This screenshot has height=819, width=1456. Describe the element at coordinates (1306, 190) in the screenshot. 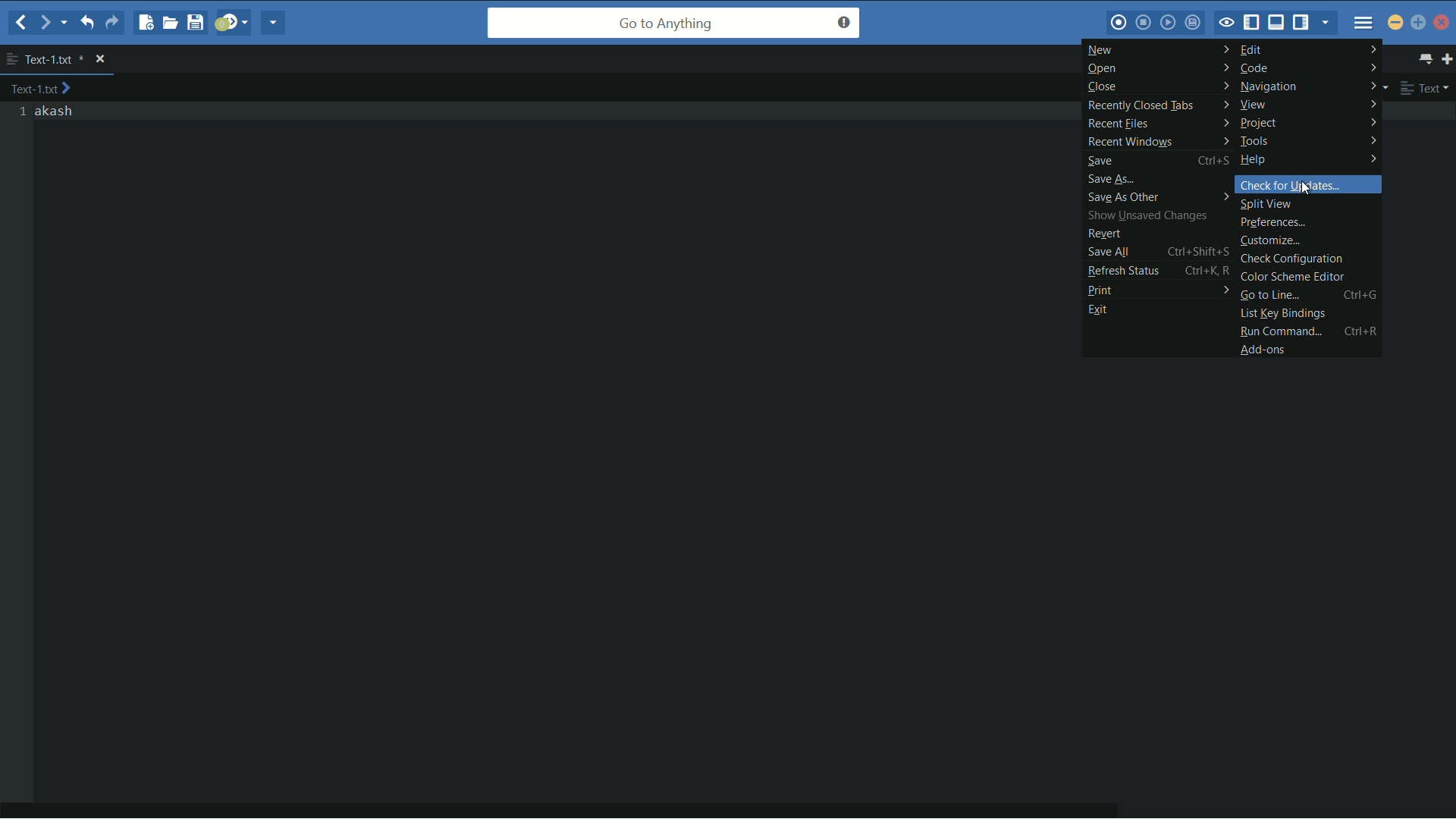

I see `cursor` at that location.